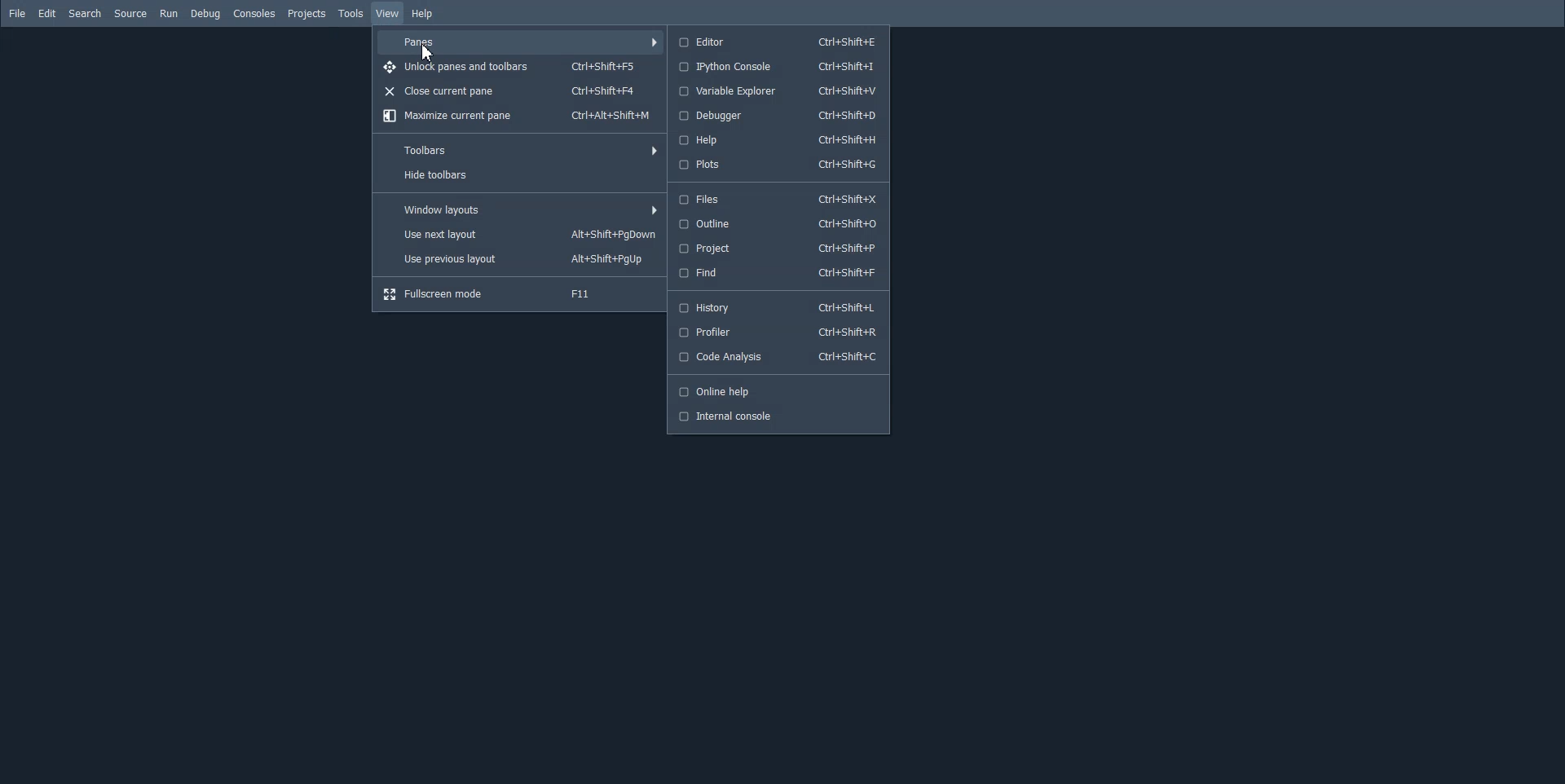 The height and width of the screenshot is (784, 1565). I want to click on Debugger, so click(779, 115).